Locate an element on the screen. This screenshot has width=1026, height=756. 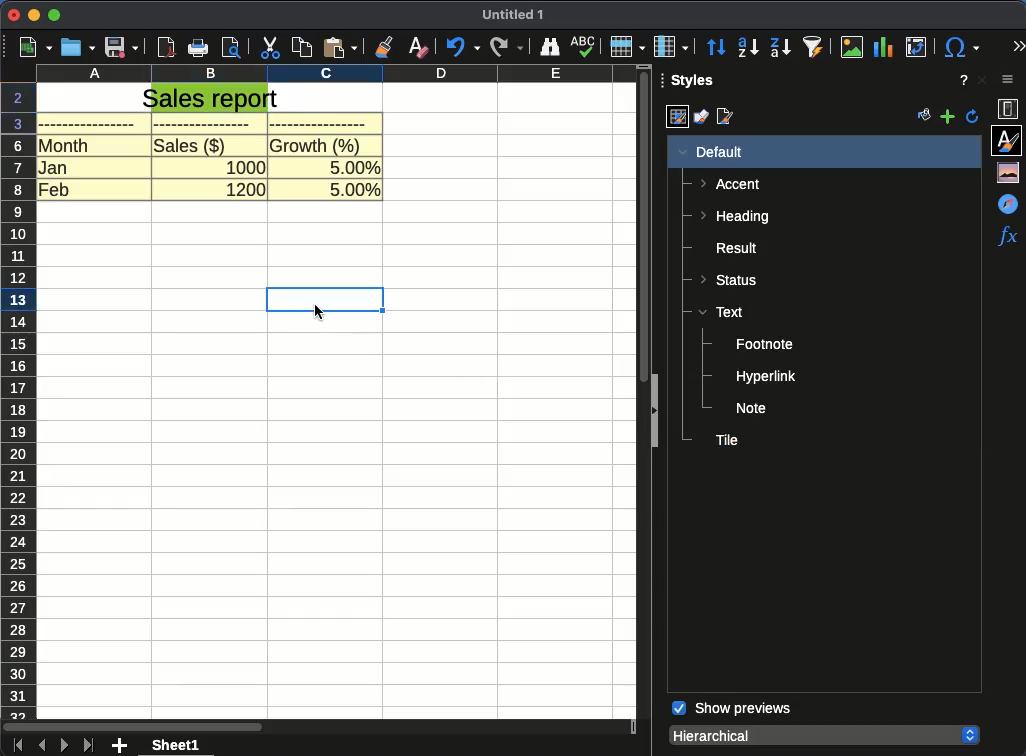
fill format mode is located at coordinates (925, 117).